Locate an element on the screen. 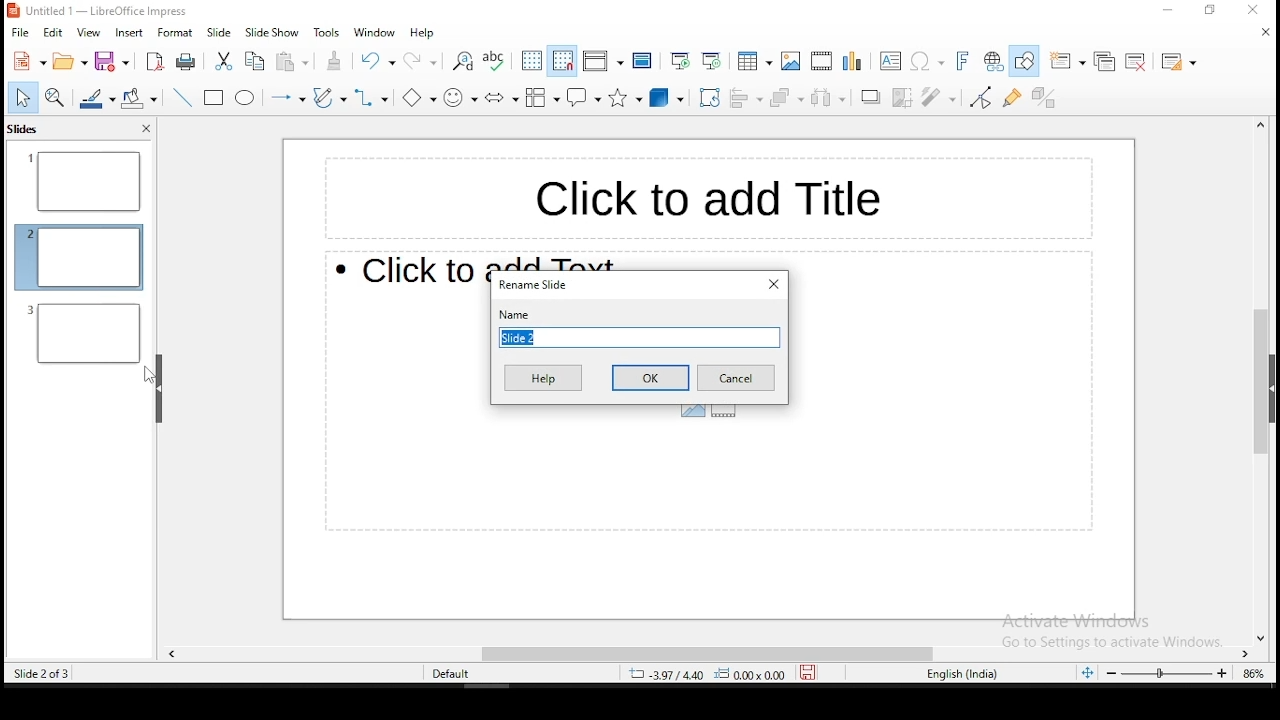 The width and height of the screenshot is (1280, 720). display views is located at coordinates (602, 59).